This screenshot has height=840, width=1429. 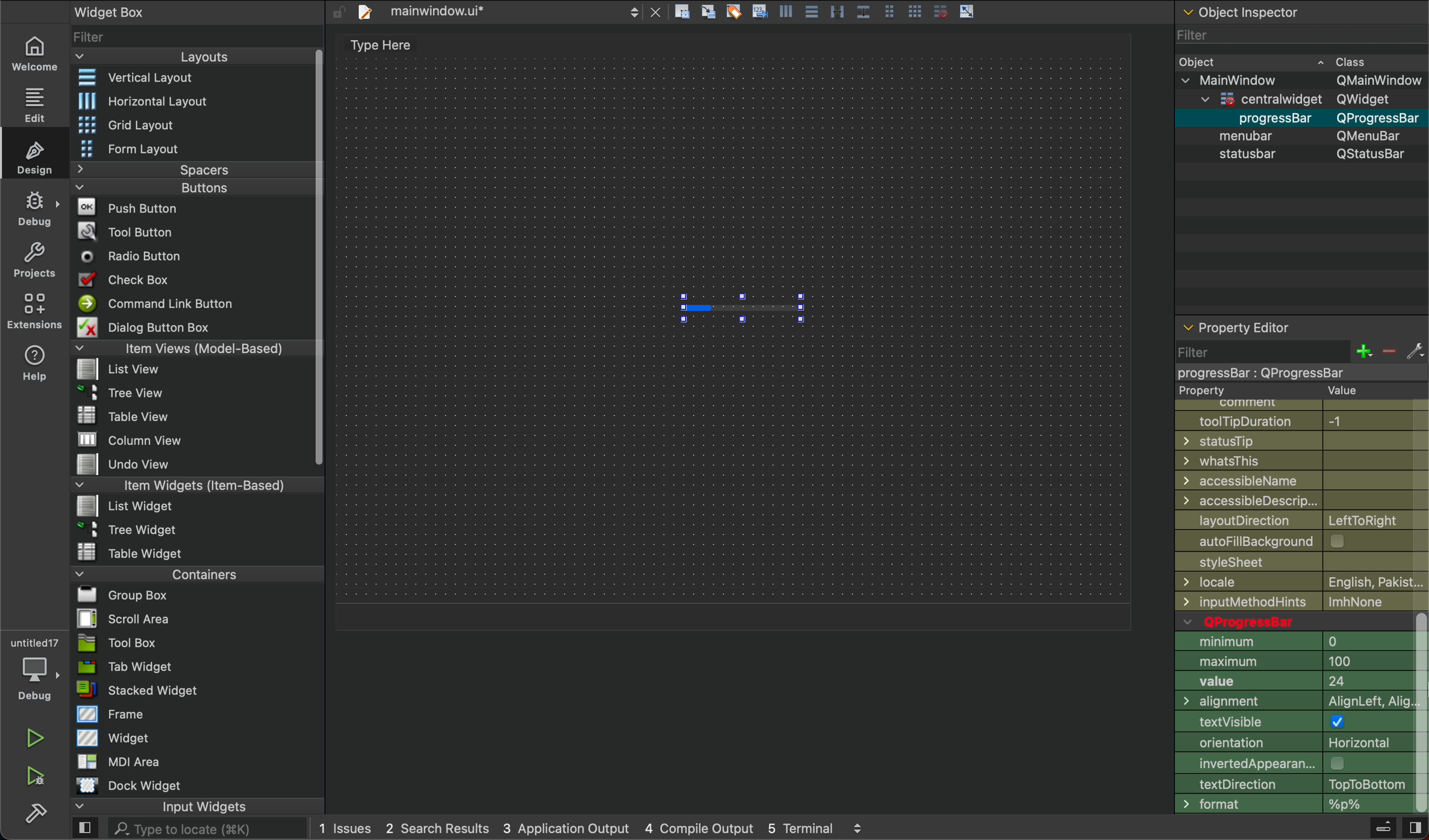 What do you see at coordinates (129, 415) in the screenshot?
I see `File` at bounding box center [129, 415].